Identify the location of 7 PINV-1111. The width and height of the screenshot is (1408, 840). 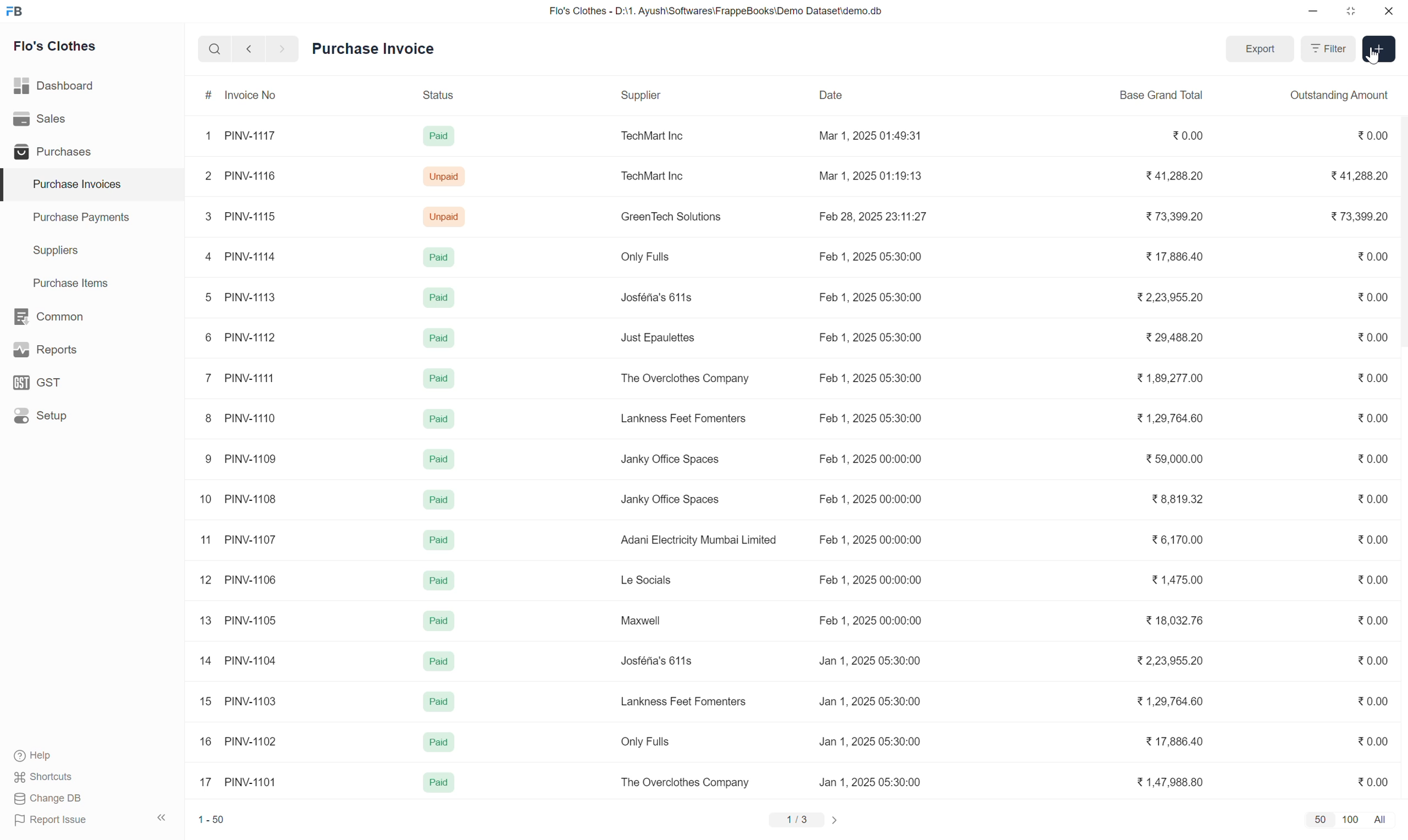
(241, 378).